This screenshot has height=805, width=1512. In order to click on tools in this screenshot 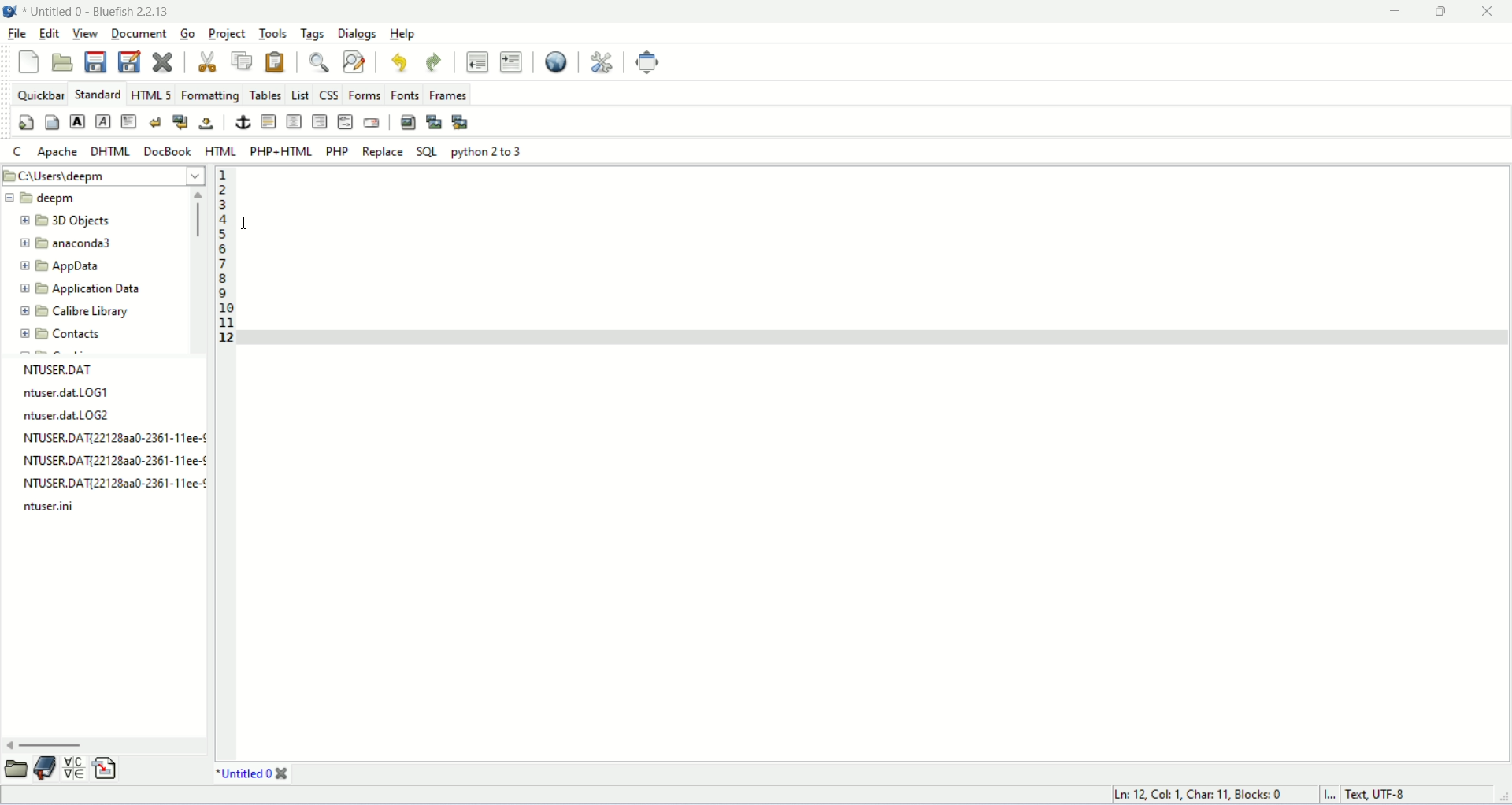, I will do `click(272, 35)`.